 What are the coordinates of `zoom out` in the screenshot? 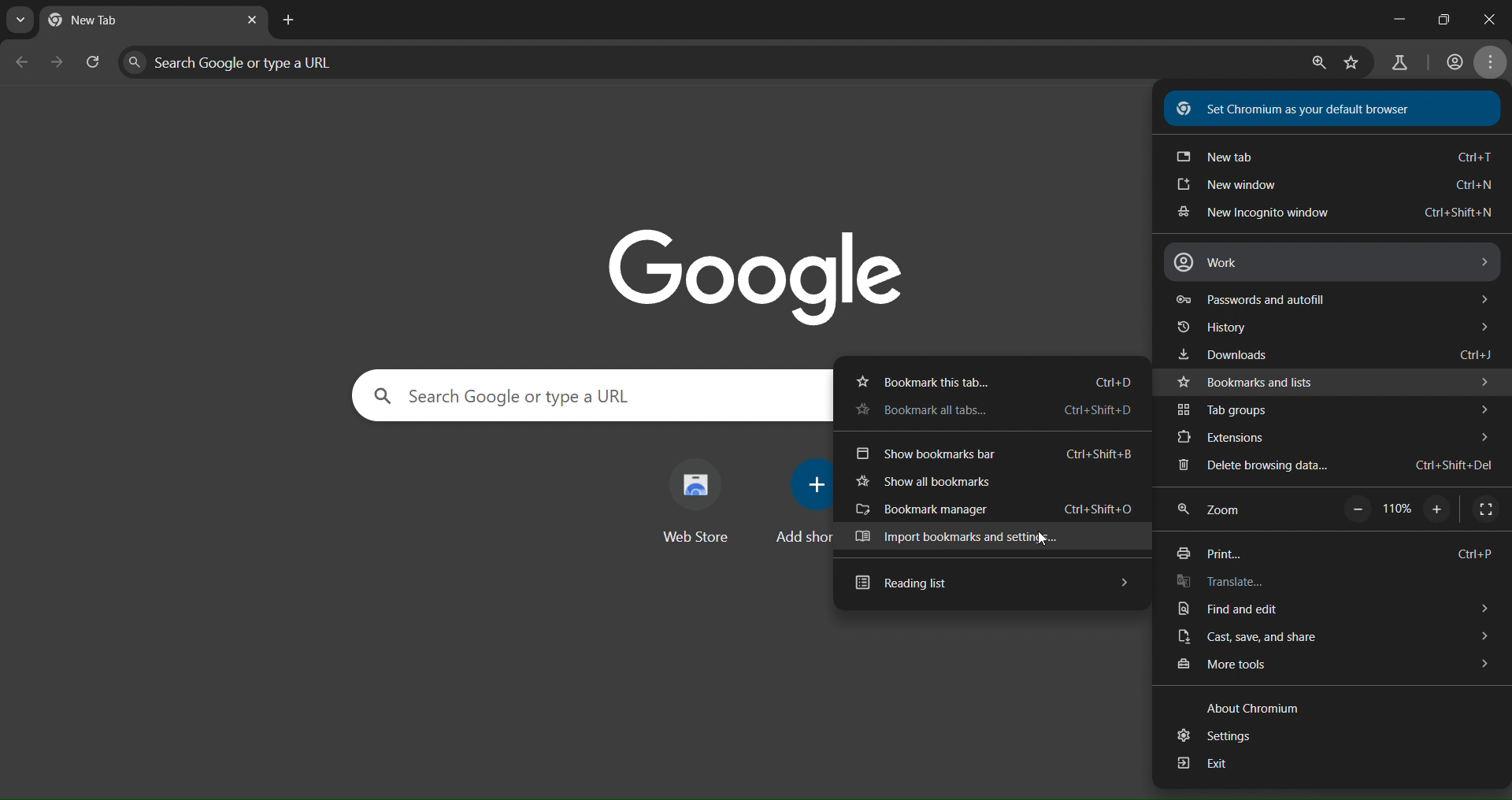 It's located at (1357, 509).